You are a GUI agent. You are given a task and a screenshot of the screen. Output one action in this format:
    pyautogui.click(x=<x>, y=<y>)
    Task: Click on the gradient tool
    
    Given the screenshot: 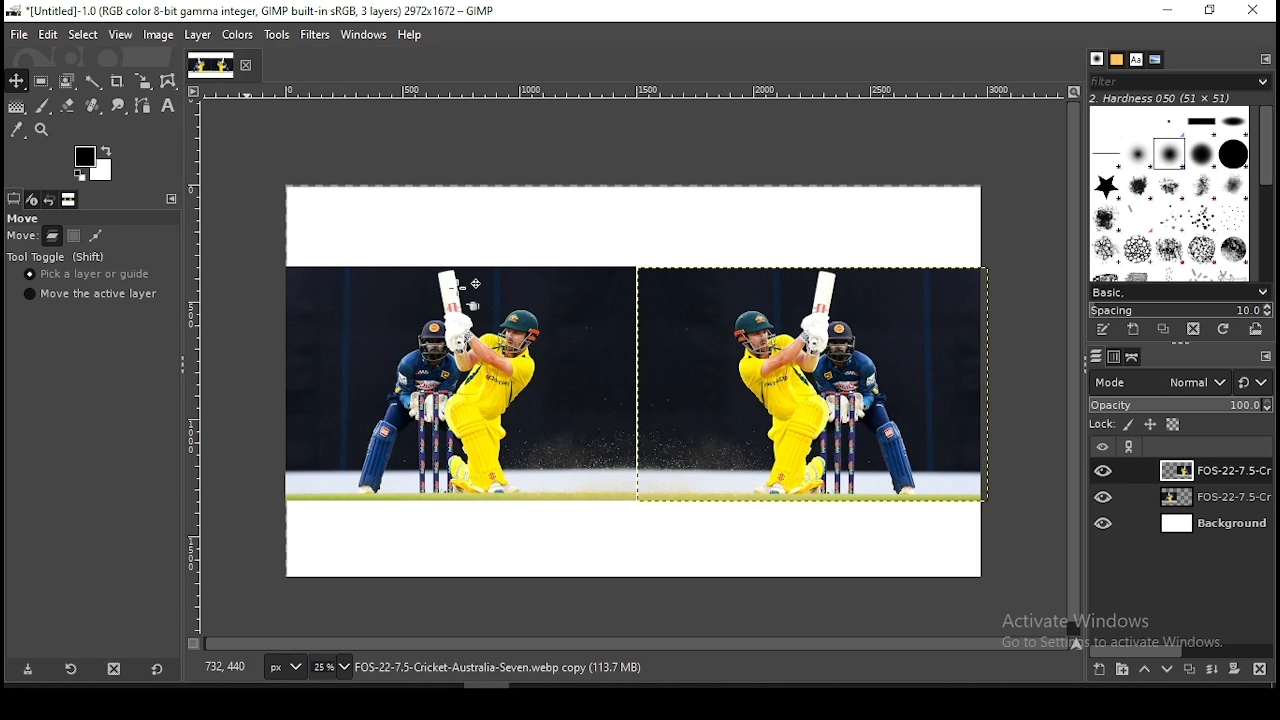 What is the action you would take?
    pyautogui.click(x=16, y=108)
    